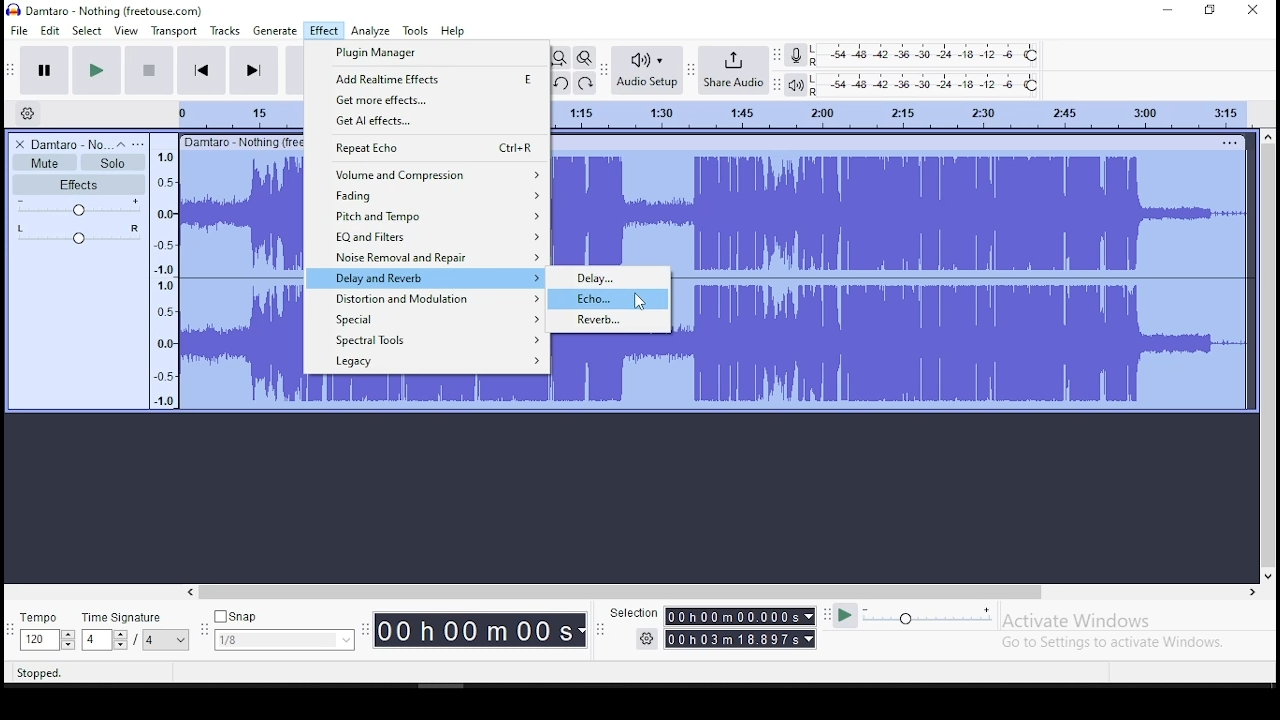 This screenshot has height=720, width=1280. What do you see at coordinates (640, 301) in the screenshot?
I see `Cursor` at bounding box center [640, 301].